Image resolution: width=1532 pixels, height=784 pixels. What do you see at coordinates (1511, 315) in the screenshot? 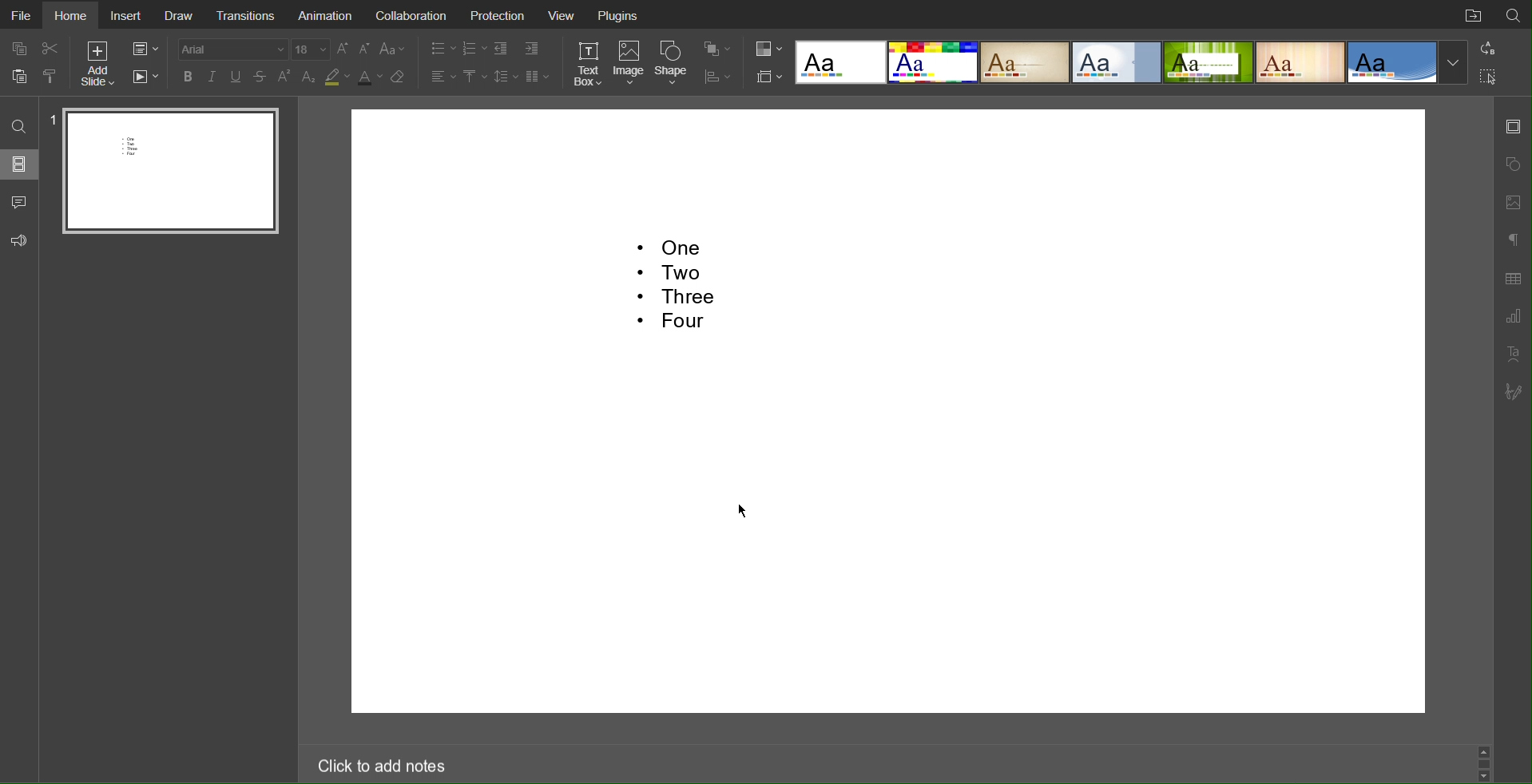
I see `Graph Settings` at bounding box center [1511, 315].